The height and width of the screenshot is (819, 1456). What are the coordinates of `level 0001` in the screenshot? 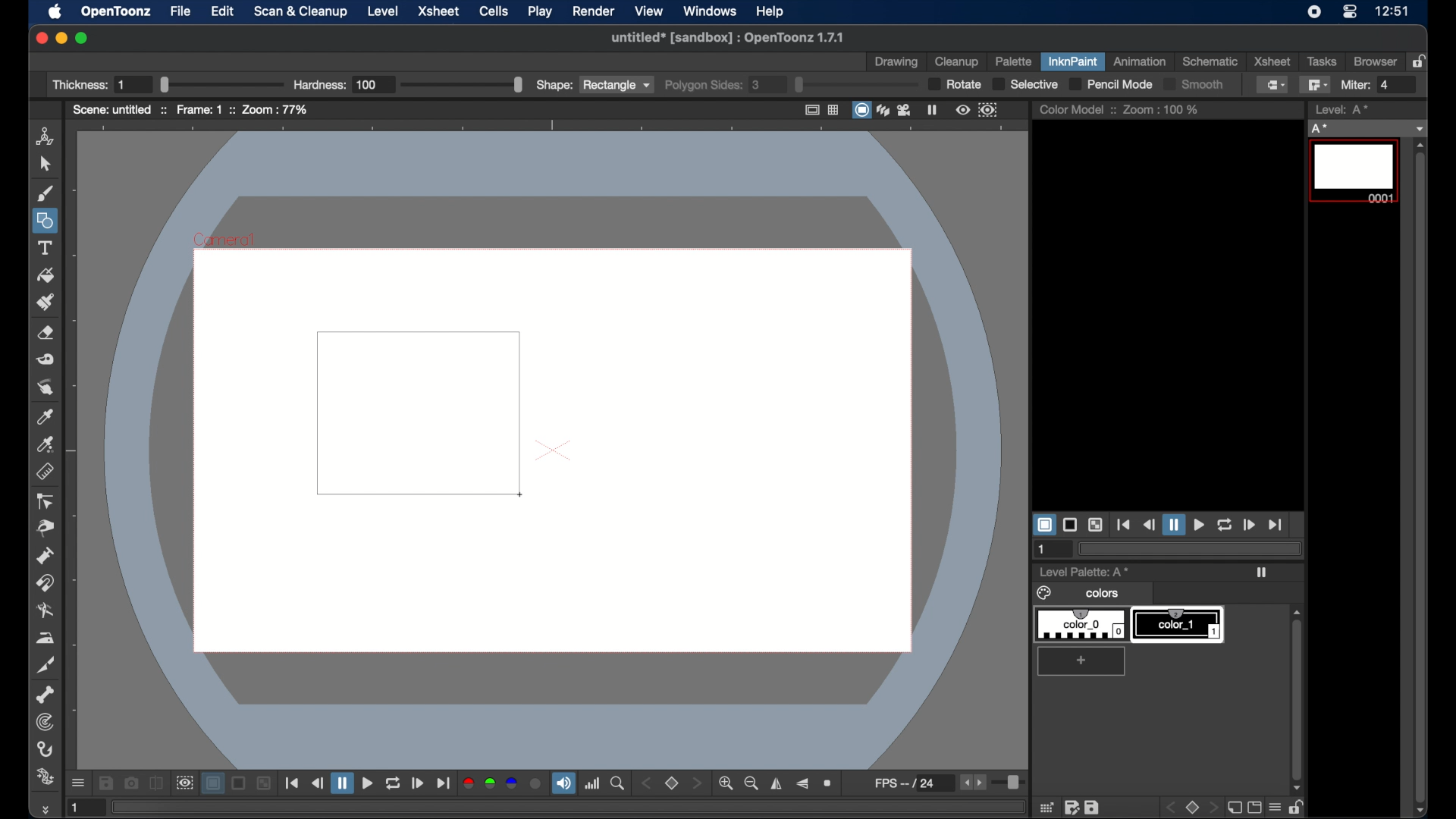 It's located at (1356, 171).